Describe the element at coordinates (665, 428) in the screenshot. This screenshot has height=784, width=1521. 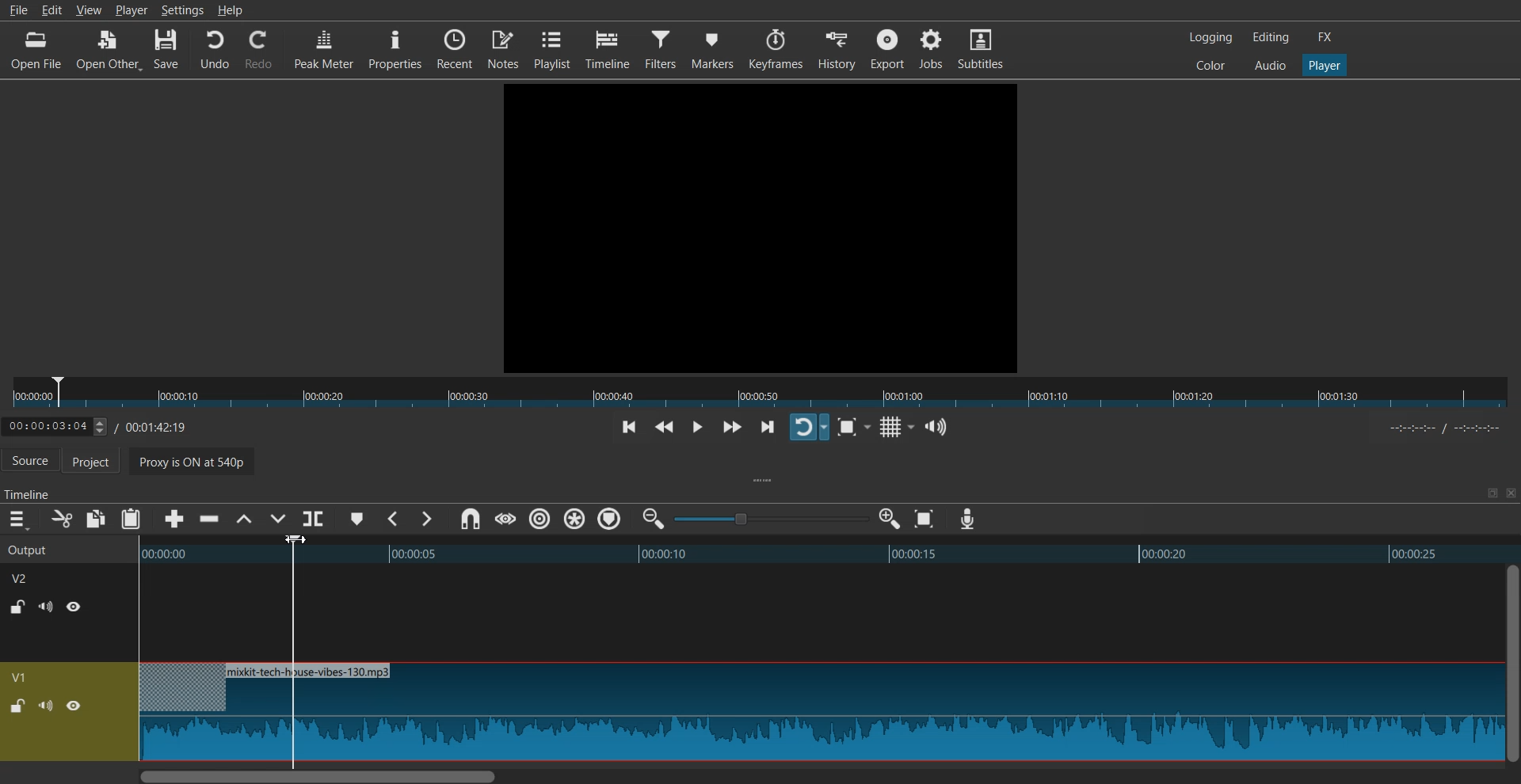
I see `Play quickly backwards` at that location.